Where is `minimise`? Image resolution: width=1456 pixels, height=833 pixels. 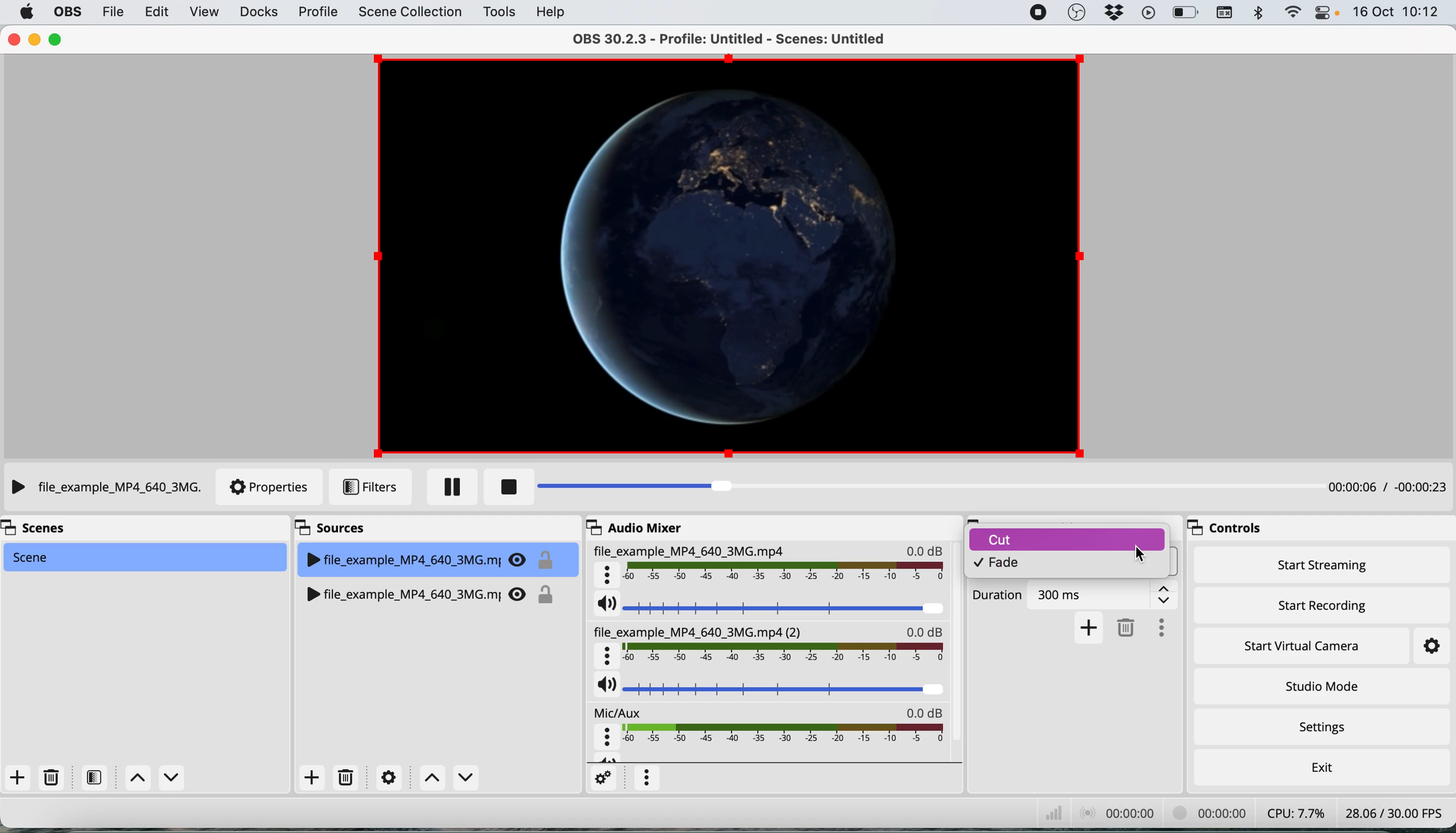
minimise is located at coordinates (34, 39).